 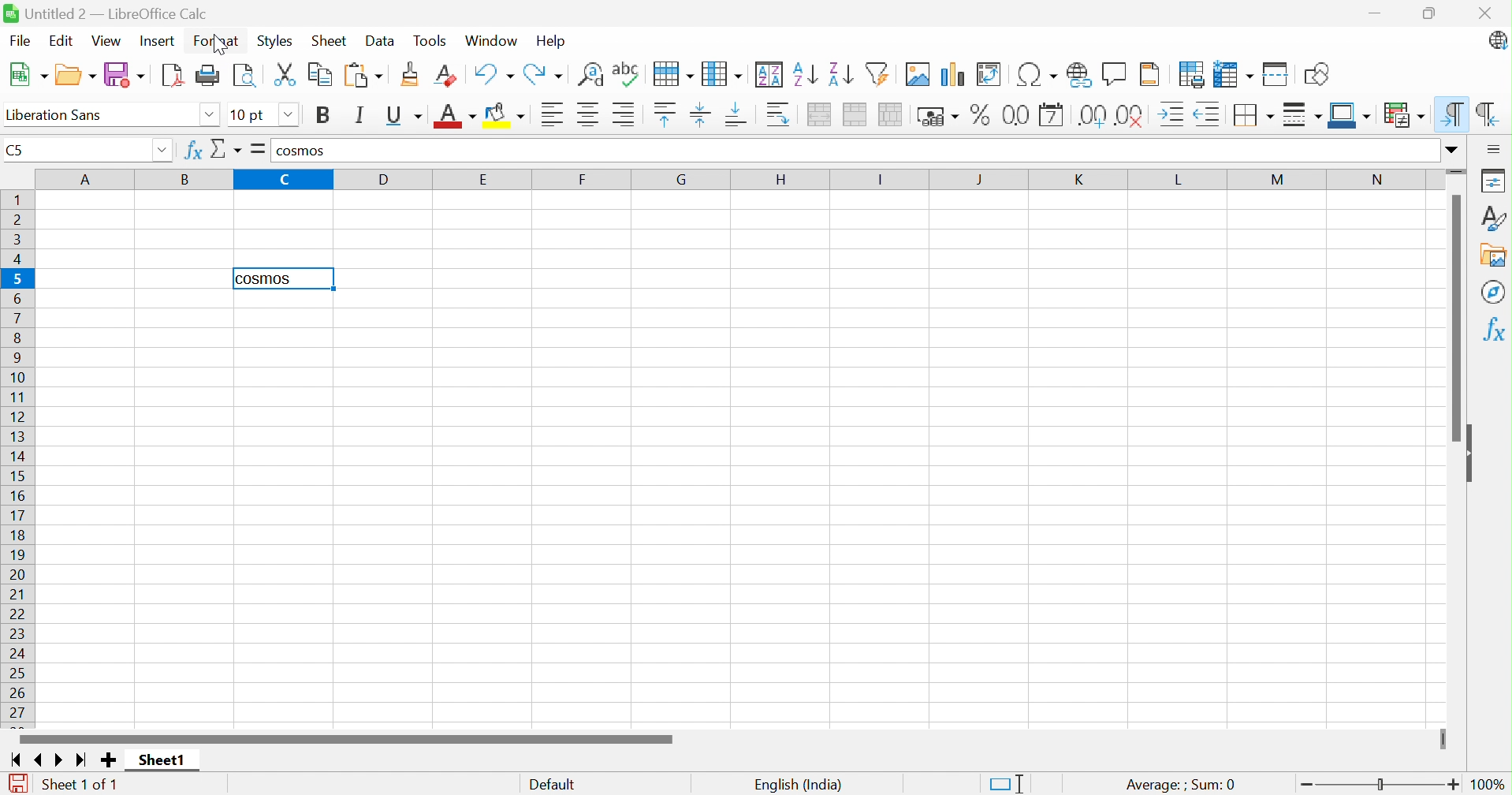 What do you see at coordinates (1406, 115) in the screenshot?
I see `Conditional` at bounding box center [1406, 115].